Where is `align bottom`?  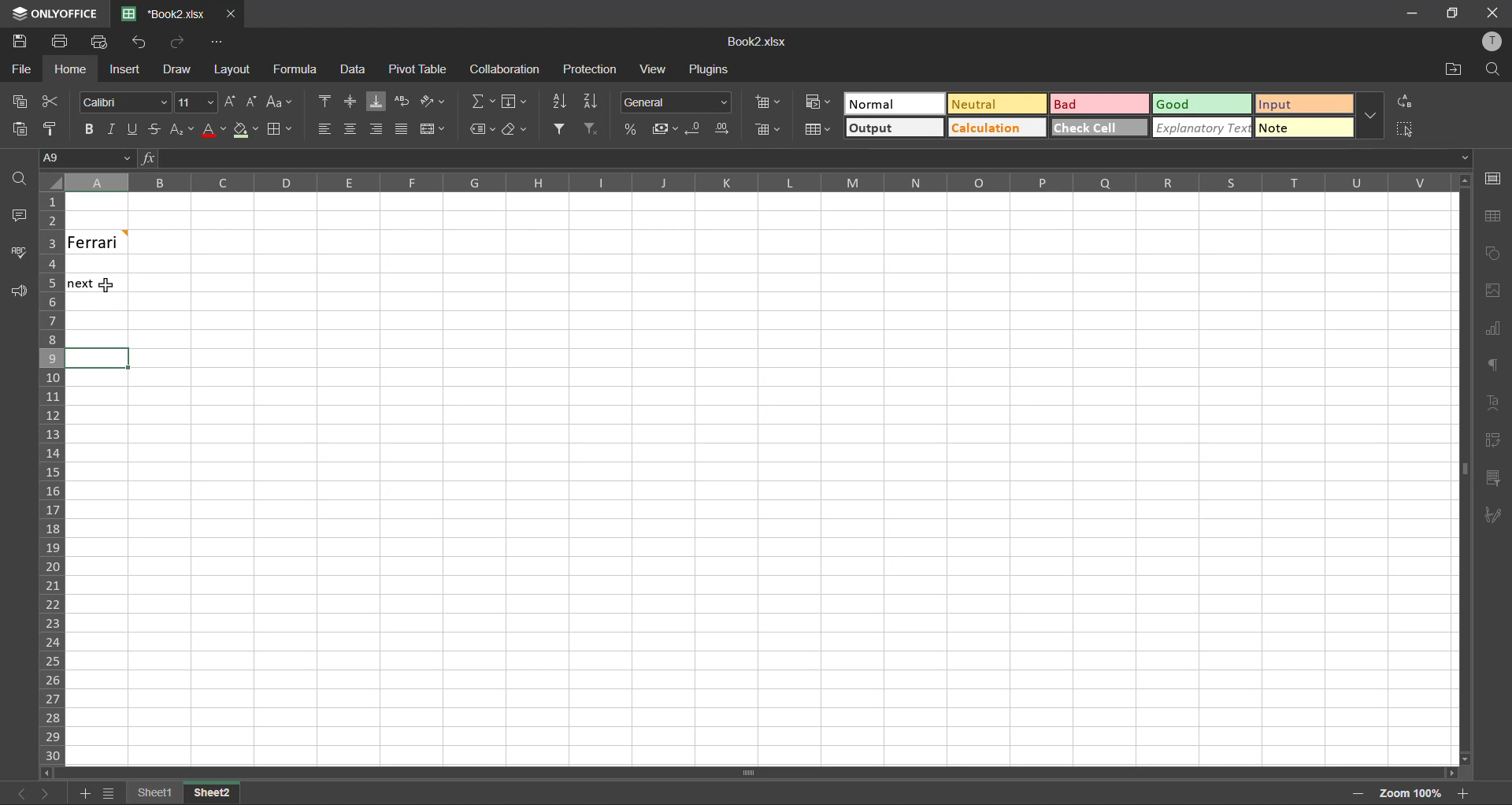
align bottom is located at coordinates (380, 102).